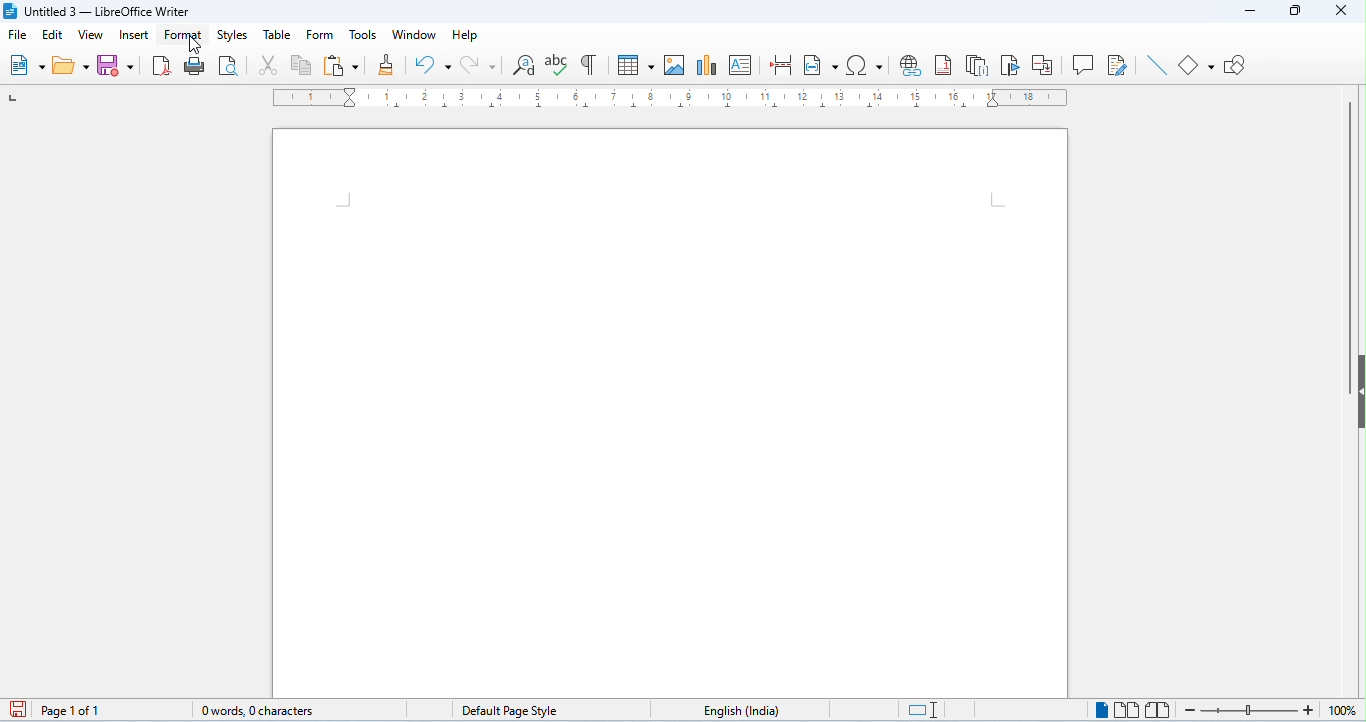  What do you see at coordinates (18, 37) in the screenshot?
I see `file` at bounding box center [18, 37].